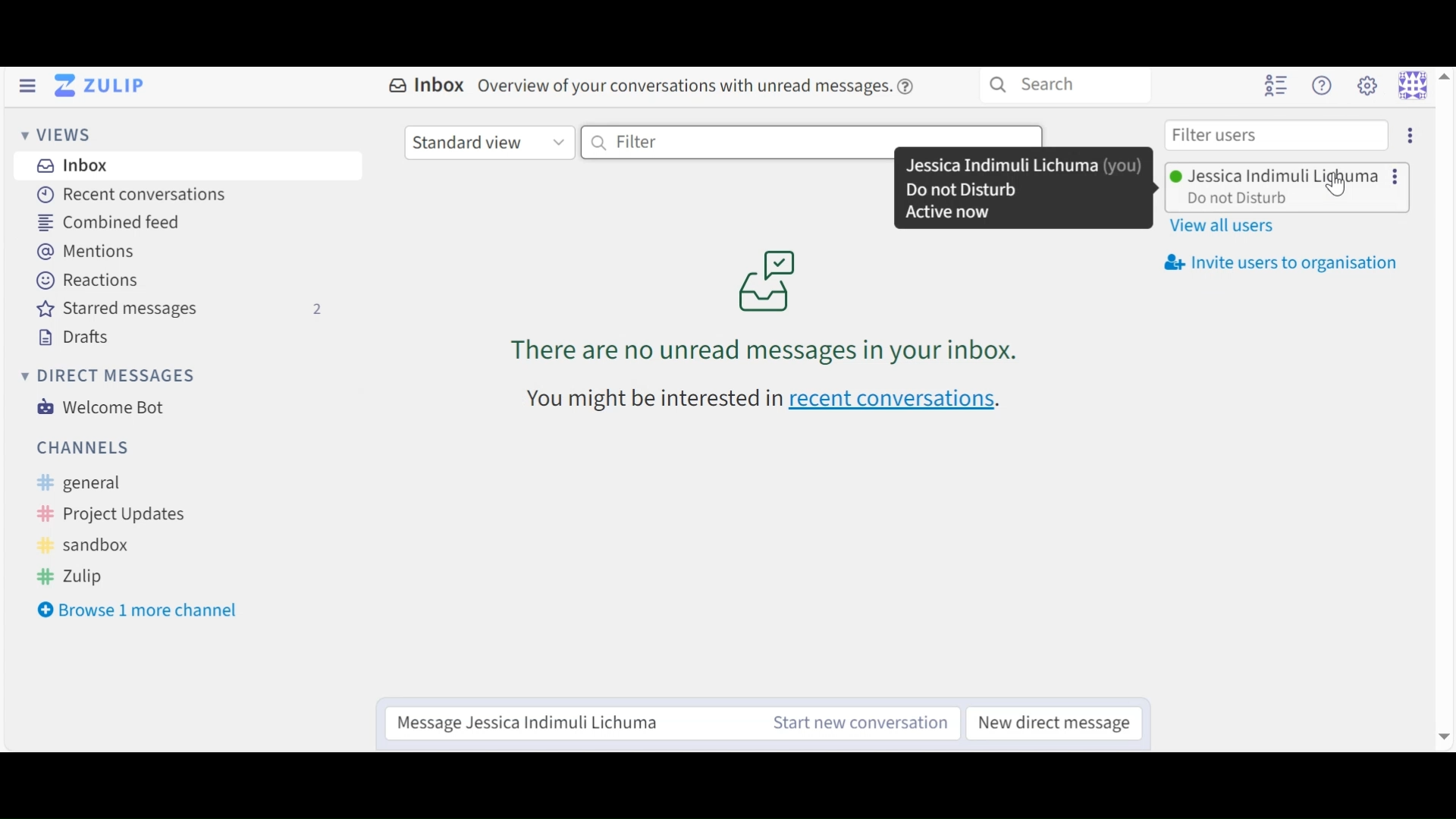 This screenshot has width=1456, height=819. What do you see at coordinates (72, 338) in the screenshot?
I see `Drafts` at bounding box center [72, 338].